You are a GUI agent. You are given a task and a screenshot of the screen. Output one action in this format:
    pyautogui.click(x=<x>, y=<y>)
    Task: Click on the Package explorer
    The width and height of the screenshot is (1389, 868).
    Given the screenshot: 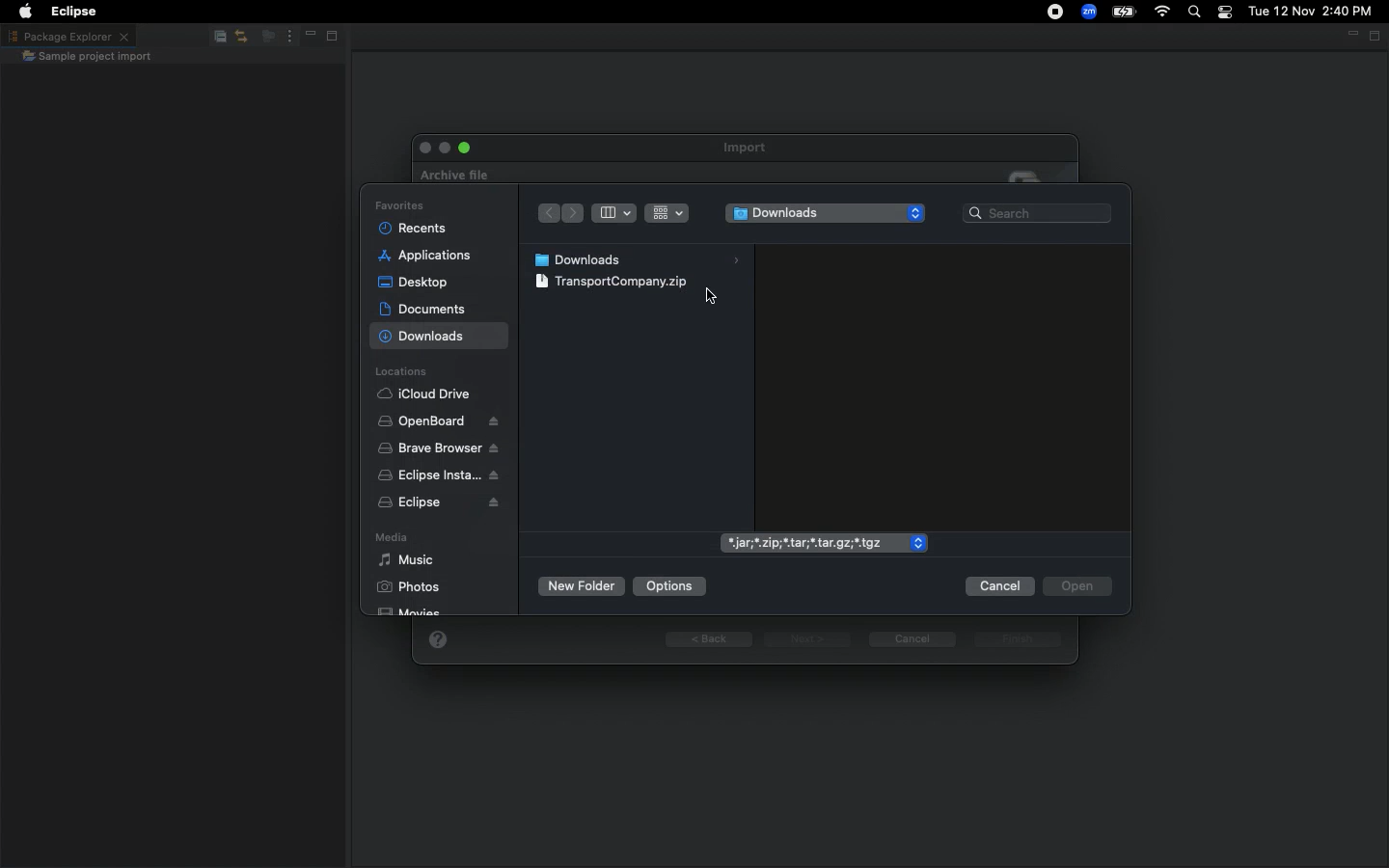 What is the action you would take?
    pyautogui.click(x=68, y=36)
    